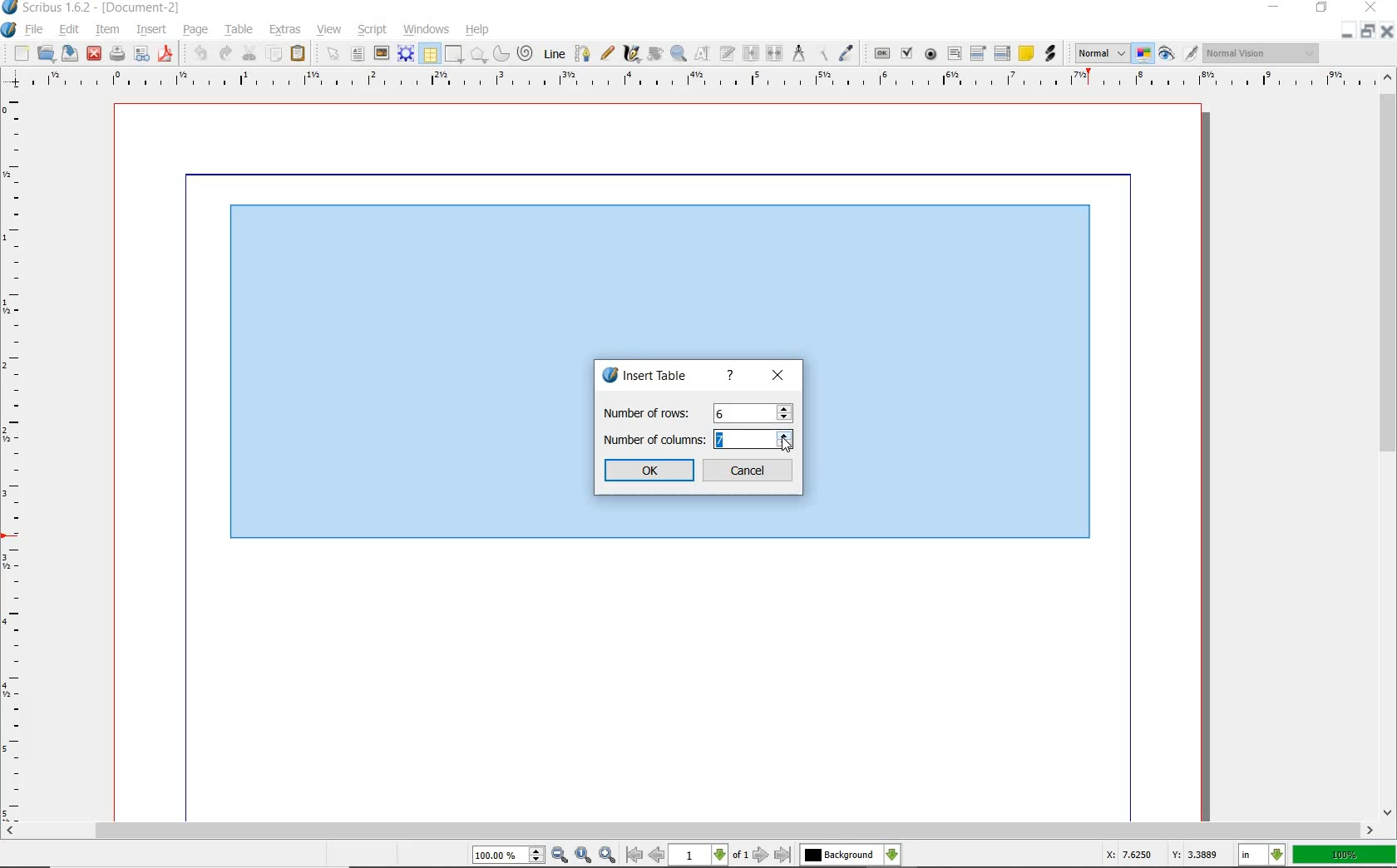 This screenshot has width=1397, height=868. I want to click on link annotation, so click(1054, 54).